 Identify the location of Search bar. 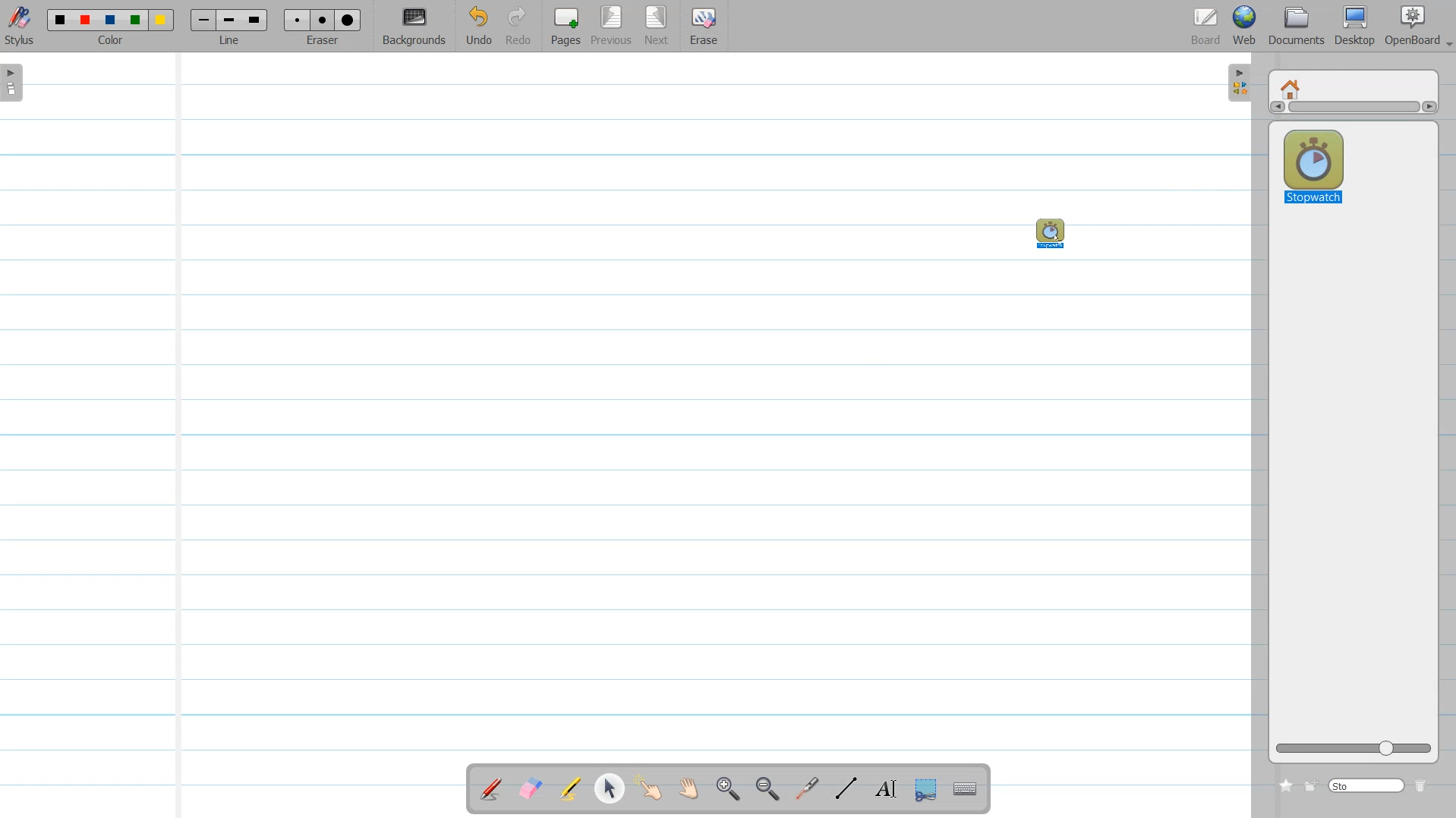
(1367, 785).